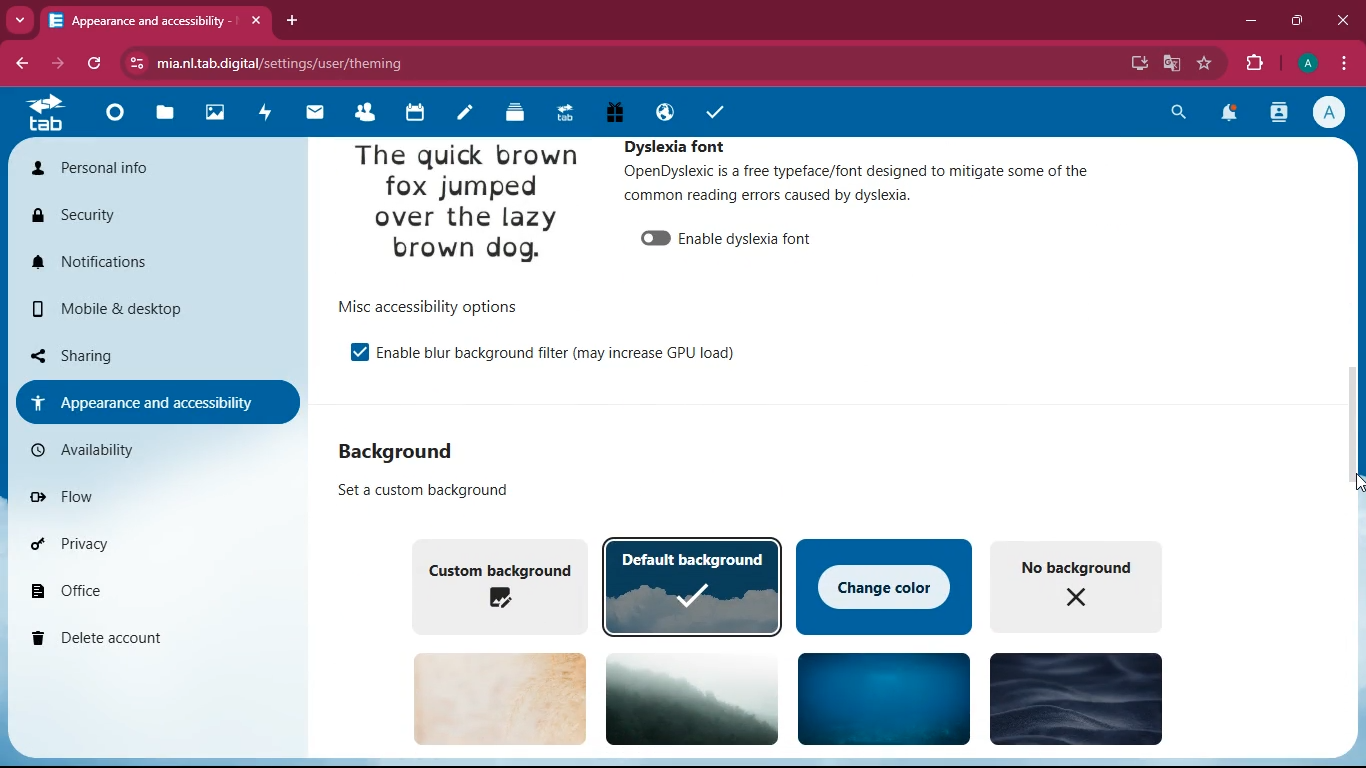 This screenshot has width=1366, height=768. I want to click on tab, so click(48, 116).